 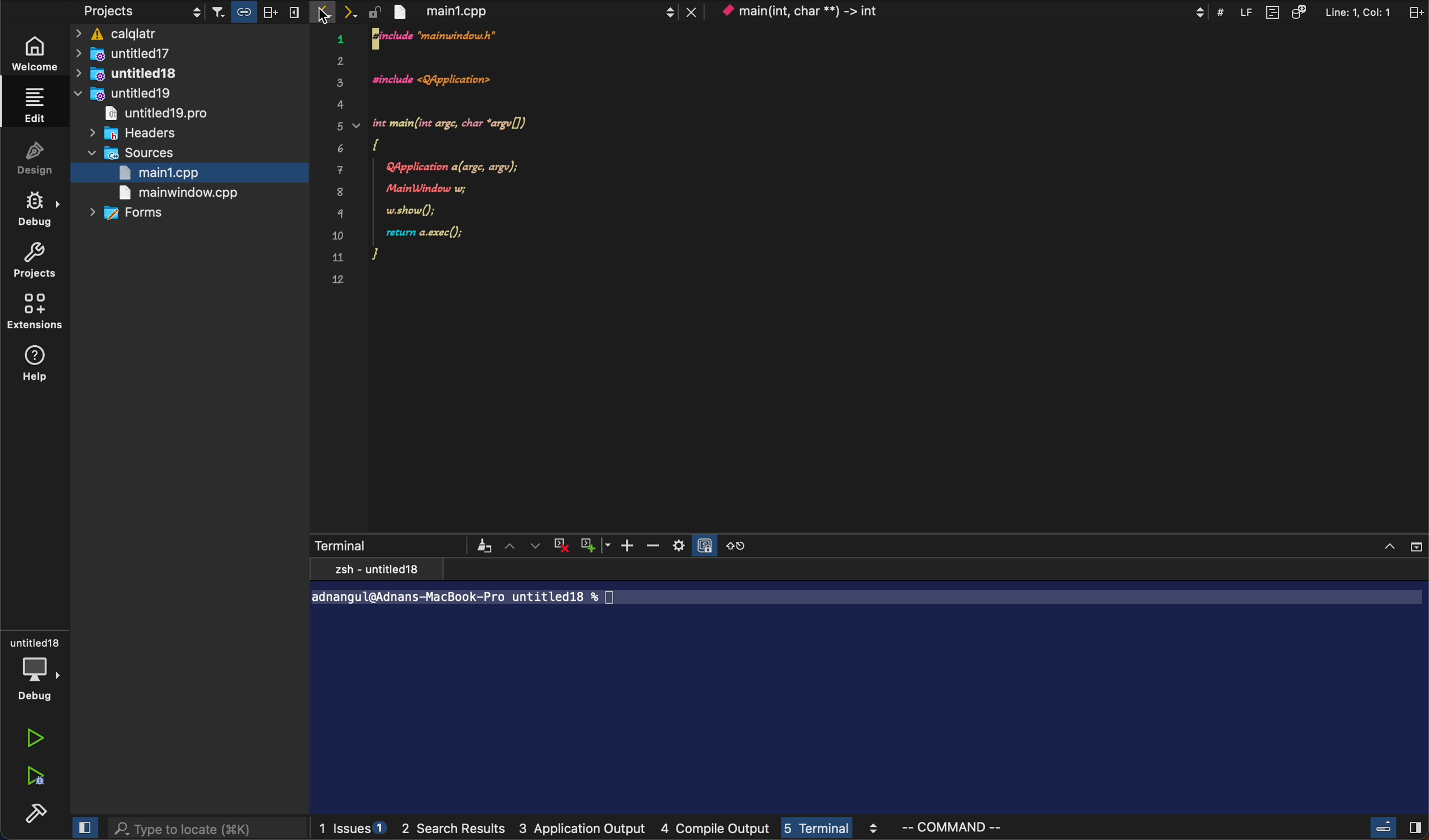 I want to click on cursor, so click(x=323, y=14).